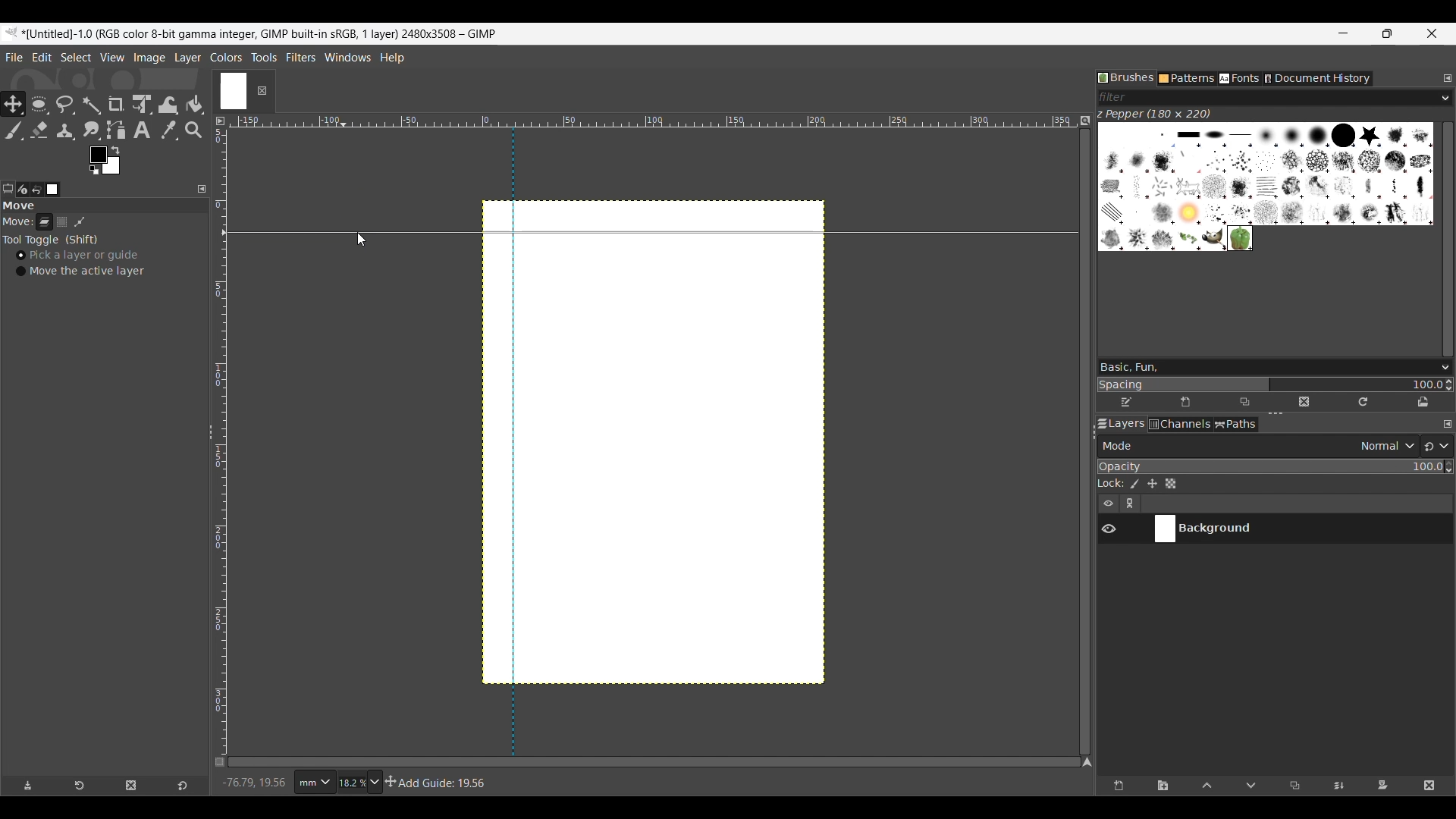  What do you see at coordinates (38, 130) in the screenshot?
I see `Eraser tool` at bounding box center [38, 130].